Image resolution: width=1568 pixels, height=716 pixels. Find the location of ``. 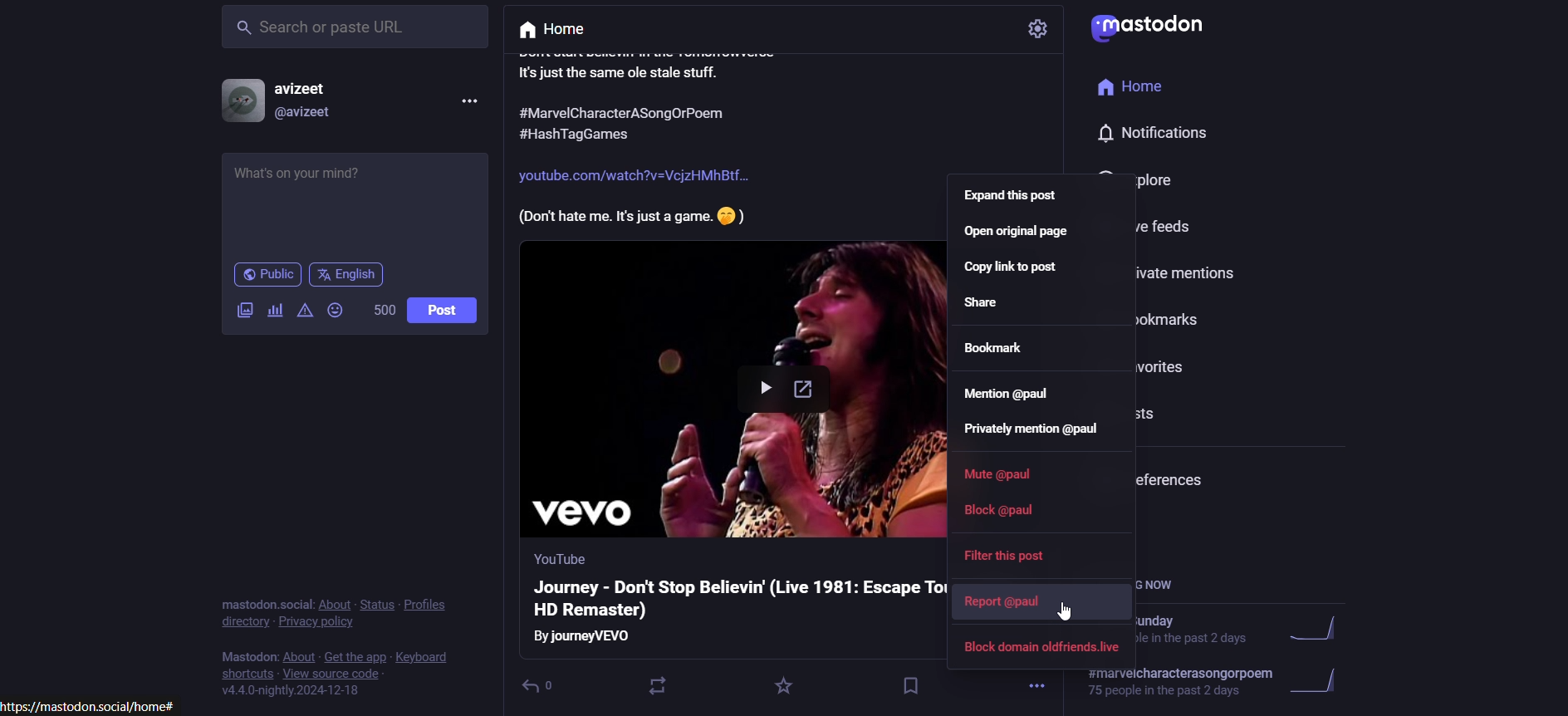

 is located at coordinates (1162, 131).